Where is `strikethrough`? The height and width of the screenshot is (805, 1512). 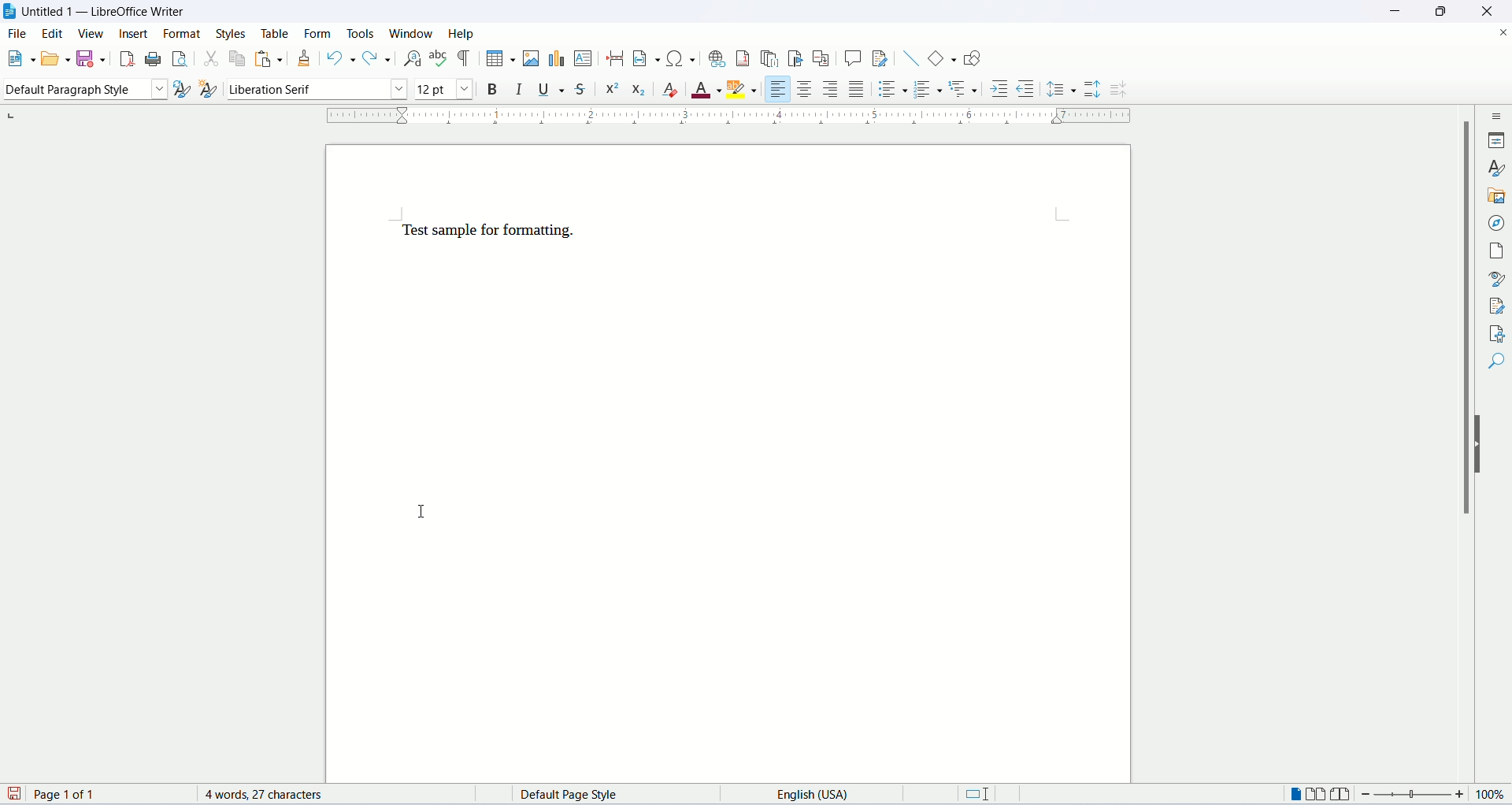 strikethrough is located at coordinates (584, 87).